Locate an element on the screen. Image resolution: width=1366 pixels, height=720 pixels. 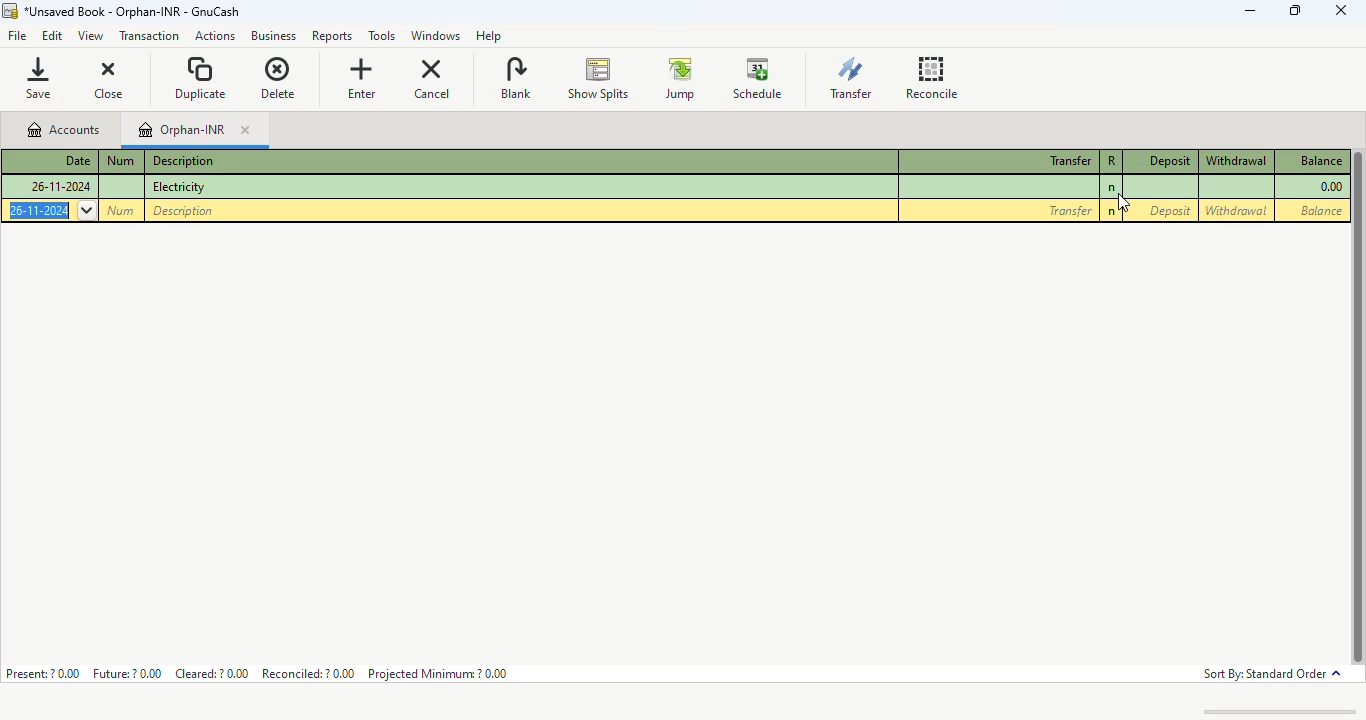
view is located at coordinates (89, 38).